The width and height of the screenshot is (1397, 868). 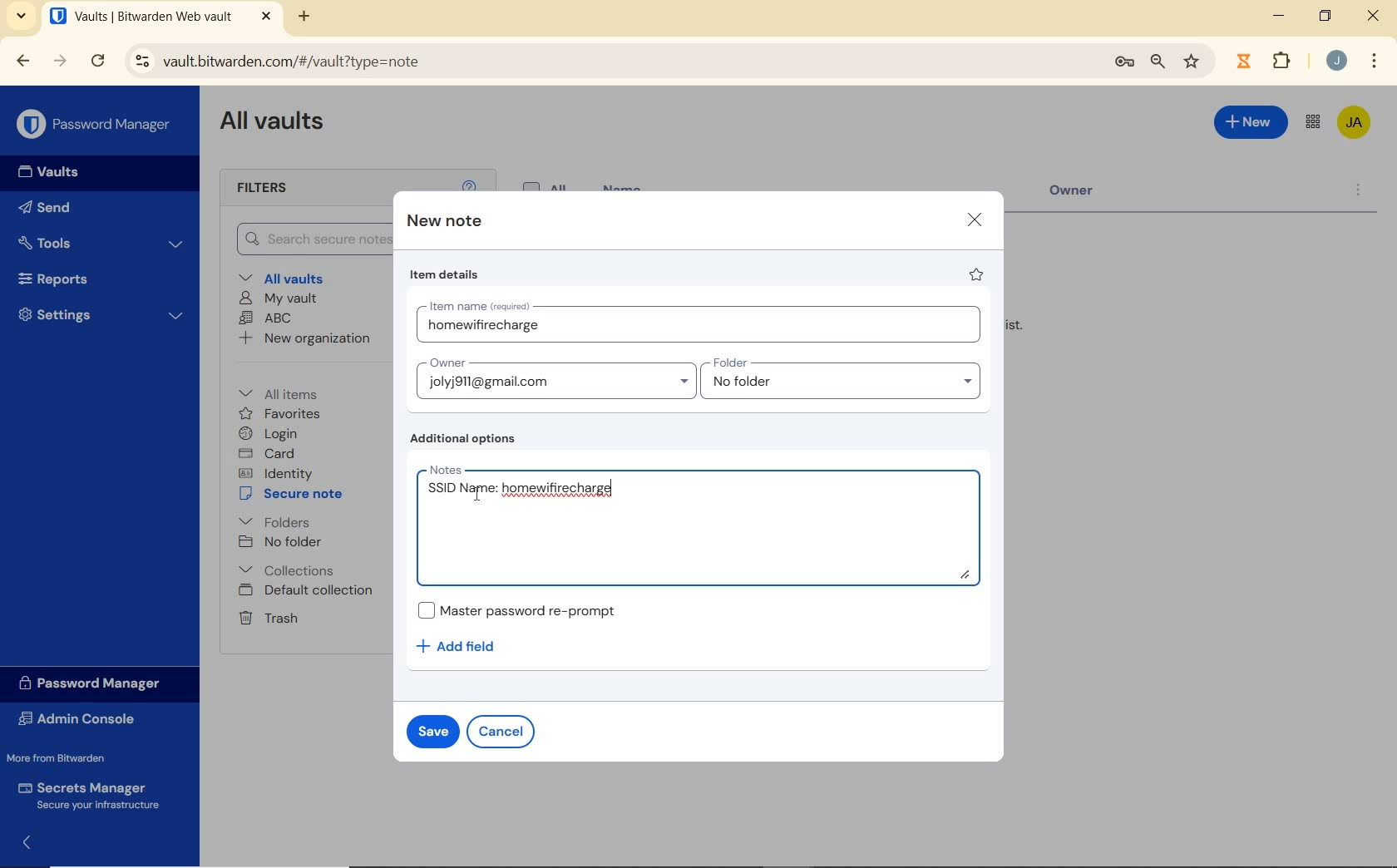 I want to click on Password Manager, so click(x=97, y=684).